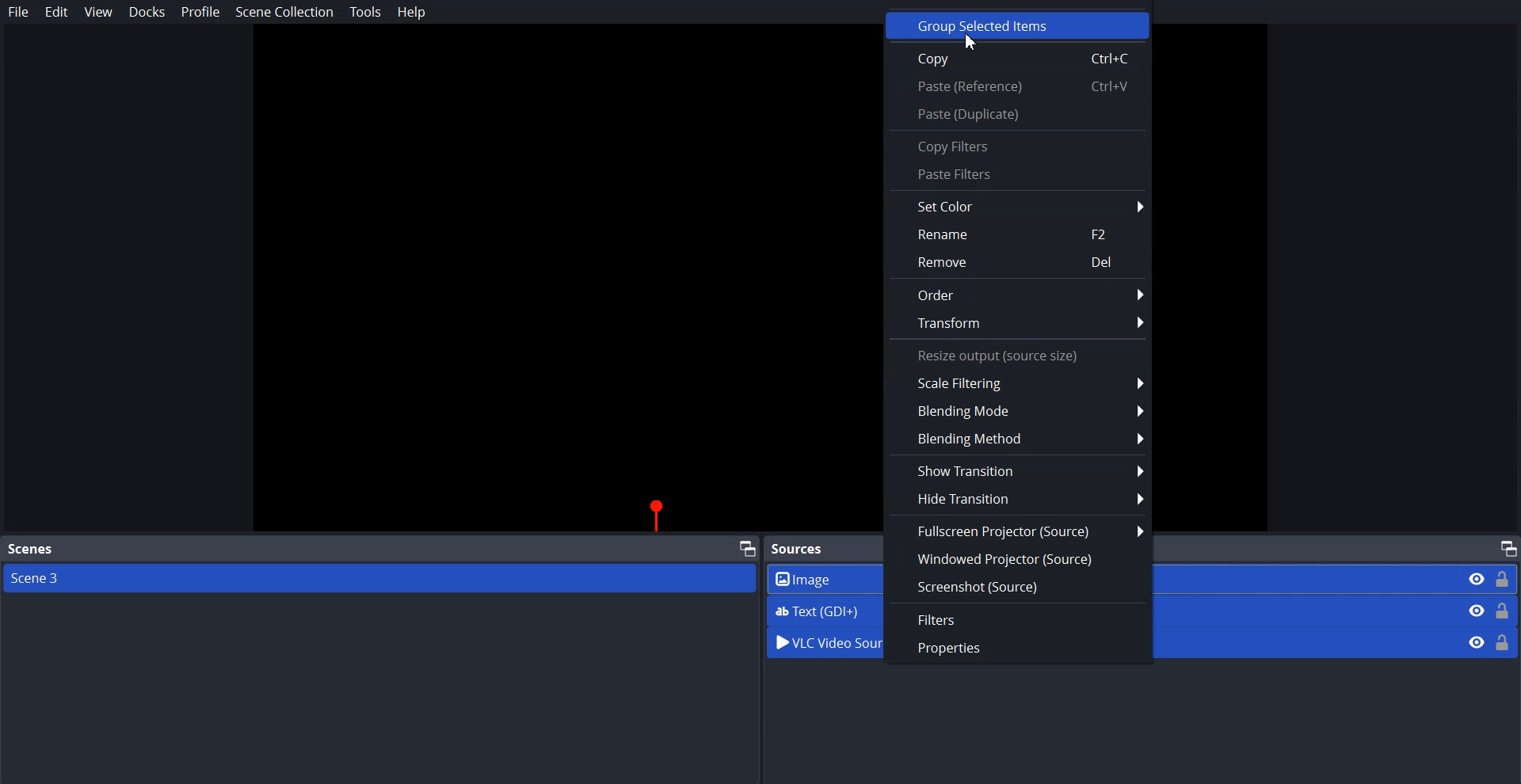 This screenshot has width=1521, height=784. Describe the element at coordinates (1018, 234) in the screenshot. I see `Rename` at that location.